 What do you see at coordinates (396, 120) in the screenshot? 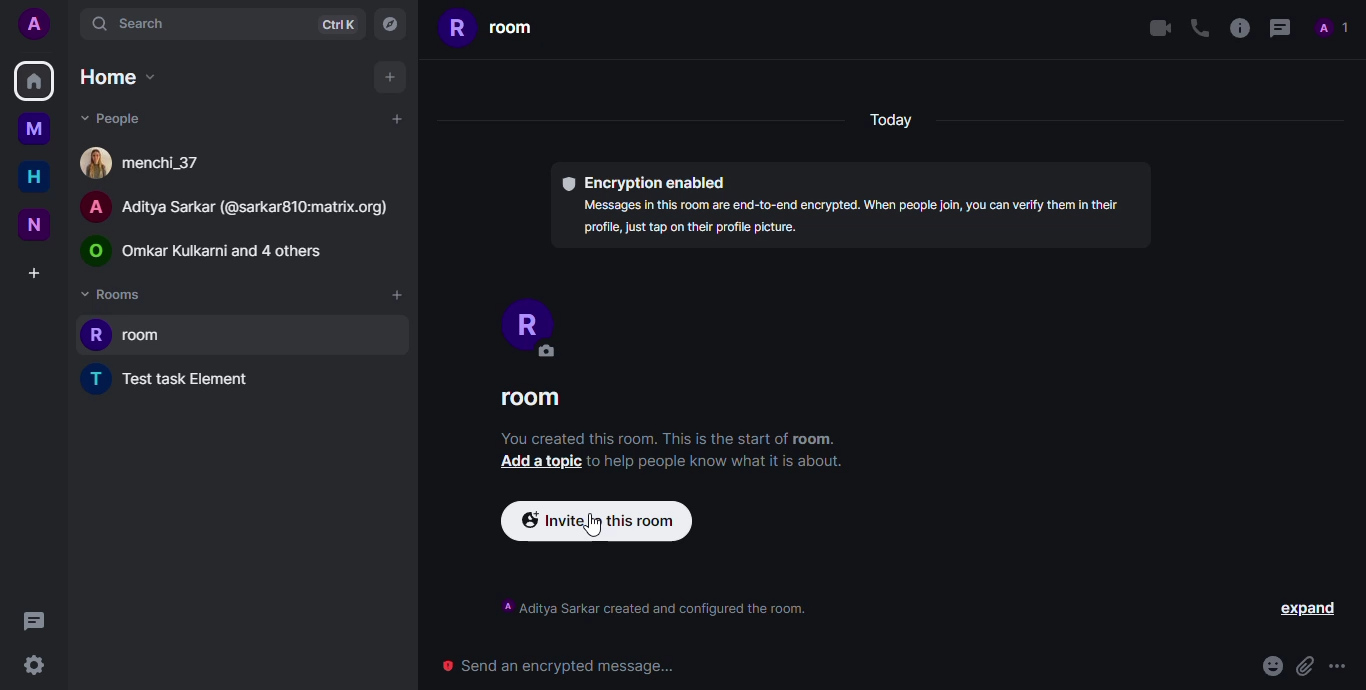
I see `add` at bounding box center [396, 120].